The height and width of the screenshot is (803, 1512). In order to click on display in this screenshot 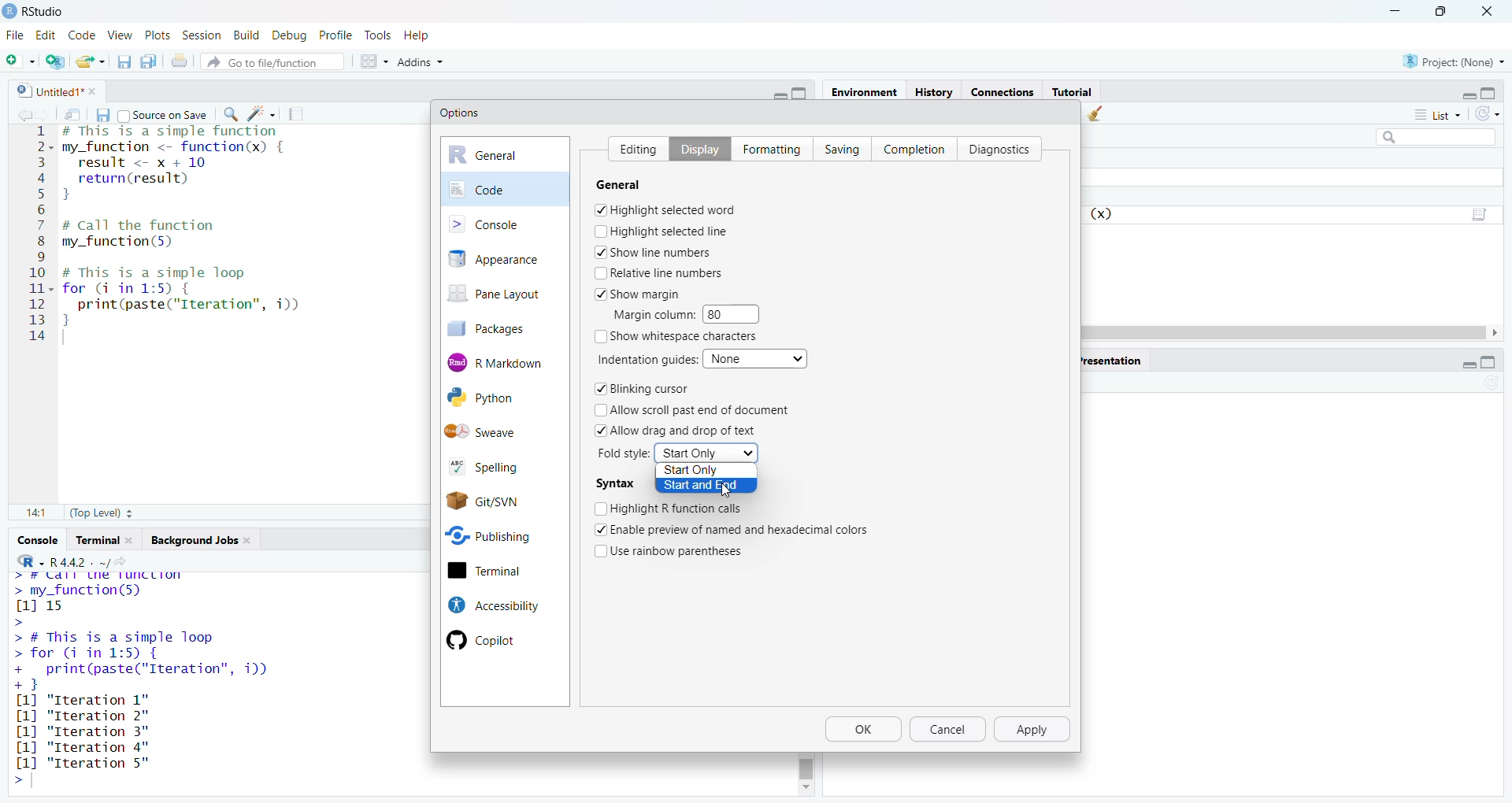, I will do `click(694, 148)`.